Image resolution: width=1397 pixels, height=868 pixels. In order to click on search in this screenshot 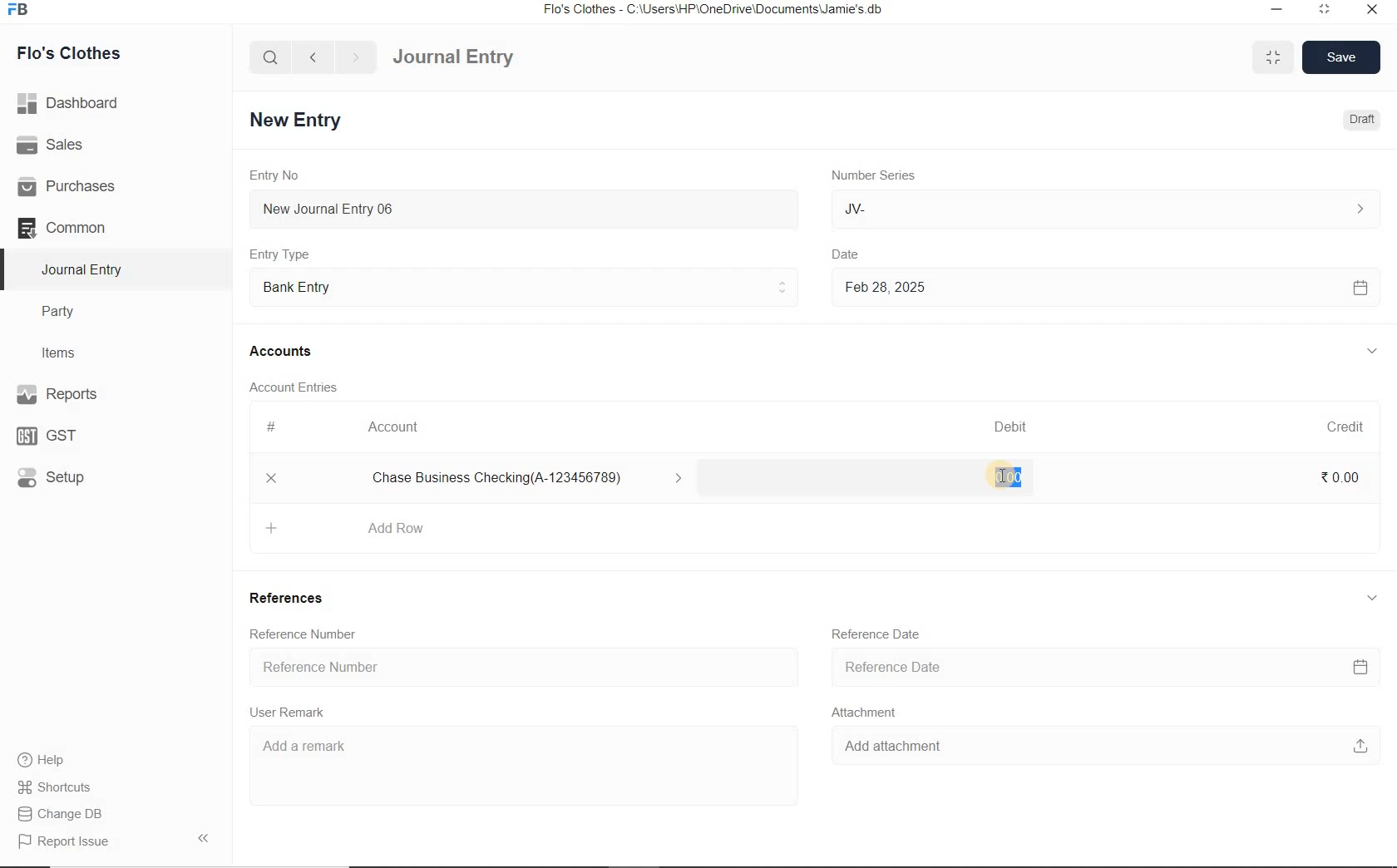, I will do `click(271, 57)`.